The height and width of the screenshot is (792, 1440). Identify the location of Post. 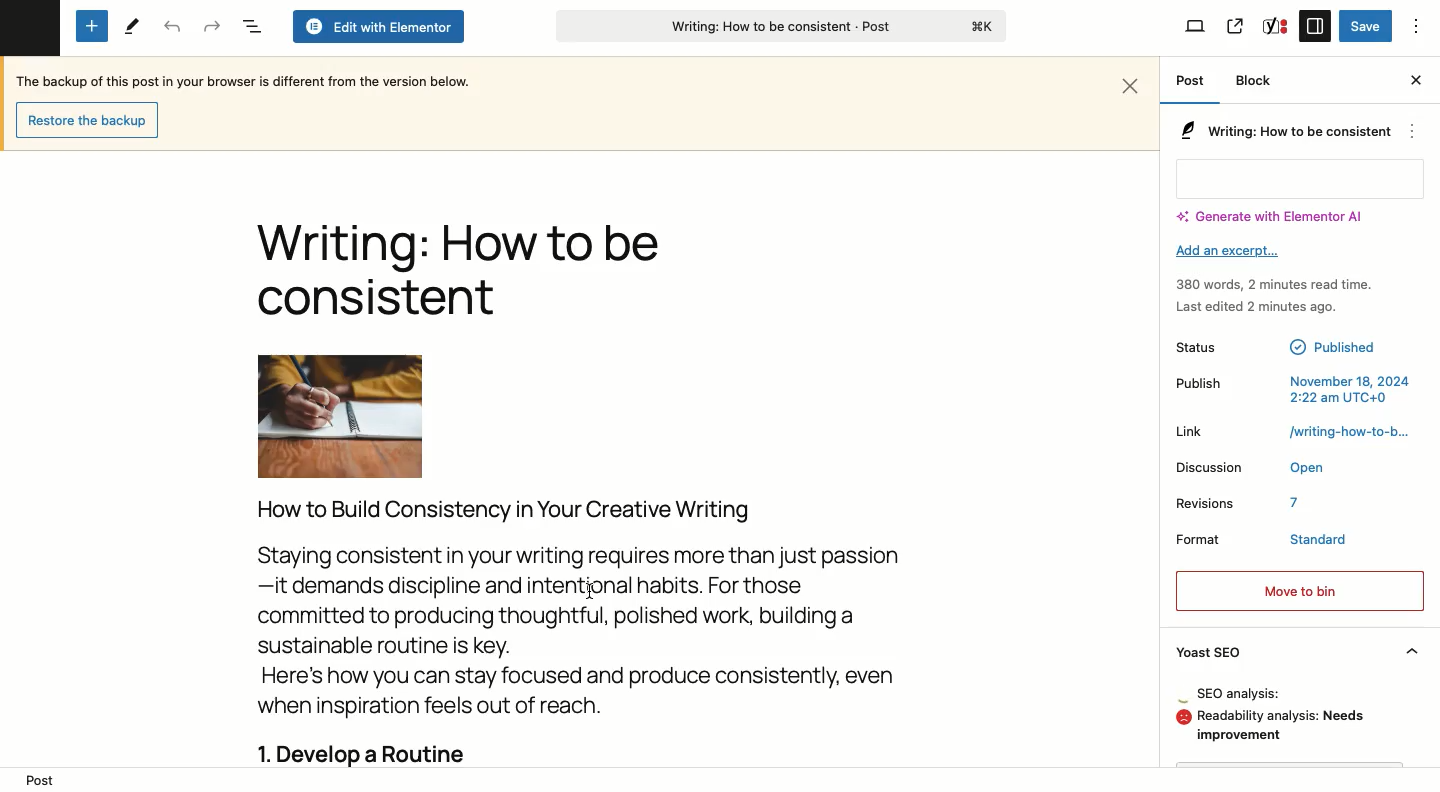
(1190, 82).